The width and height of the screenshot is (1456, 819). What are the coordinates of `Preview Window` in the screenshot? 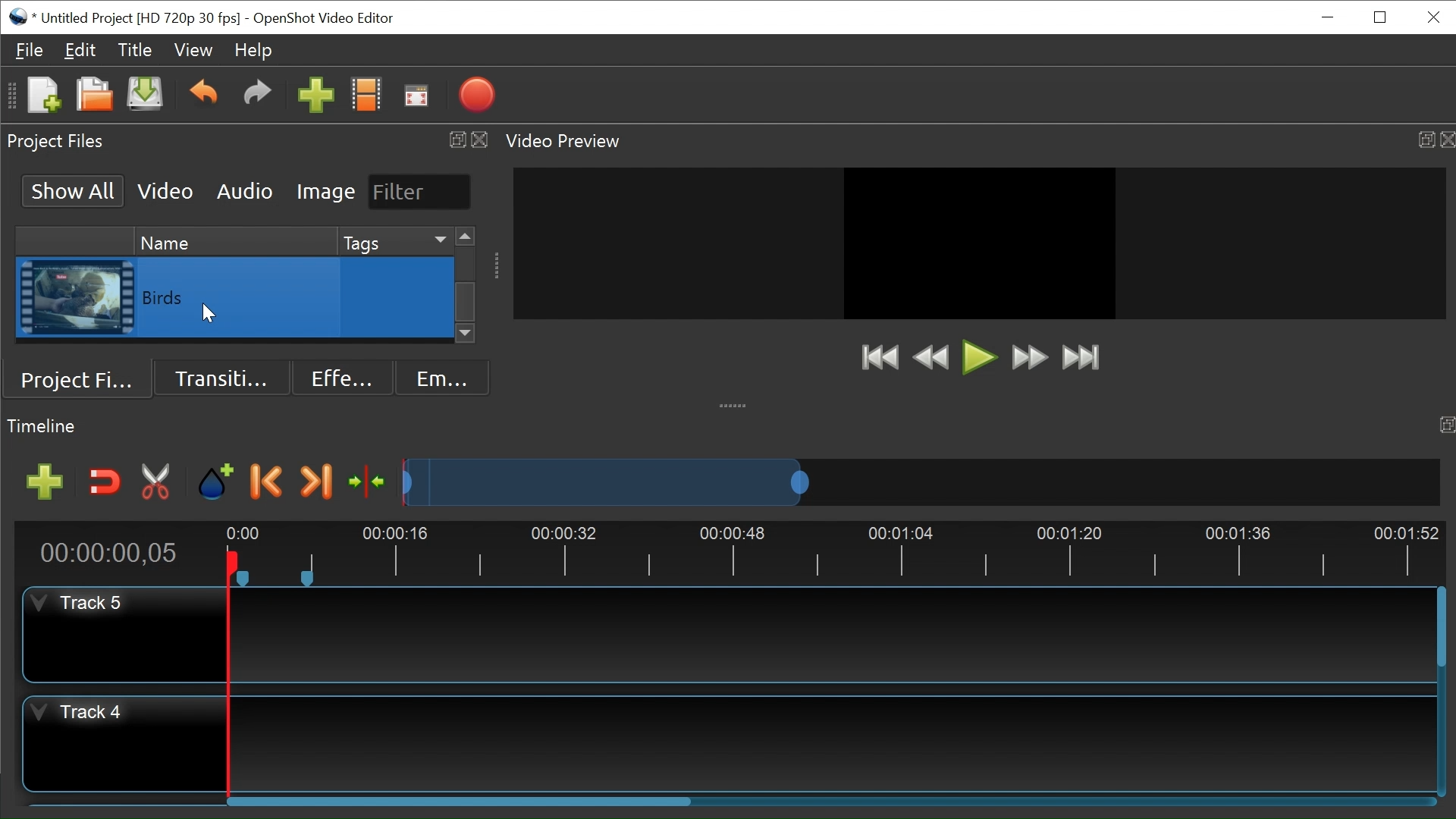 It's located at (979, 243).